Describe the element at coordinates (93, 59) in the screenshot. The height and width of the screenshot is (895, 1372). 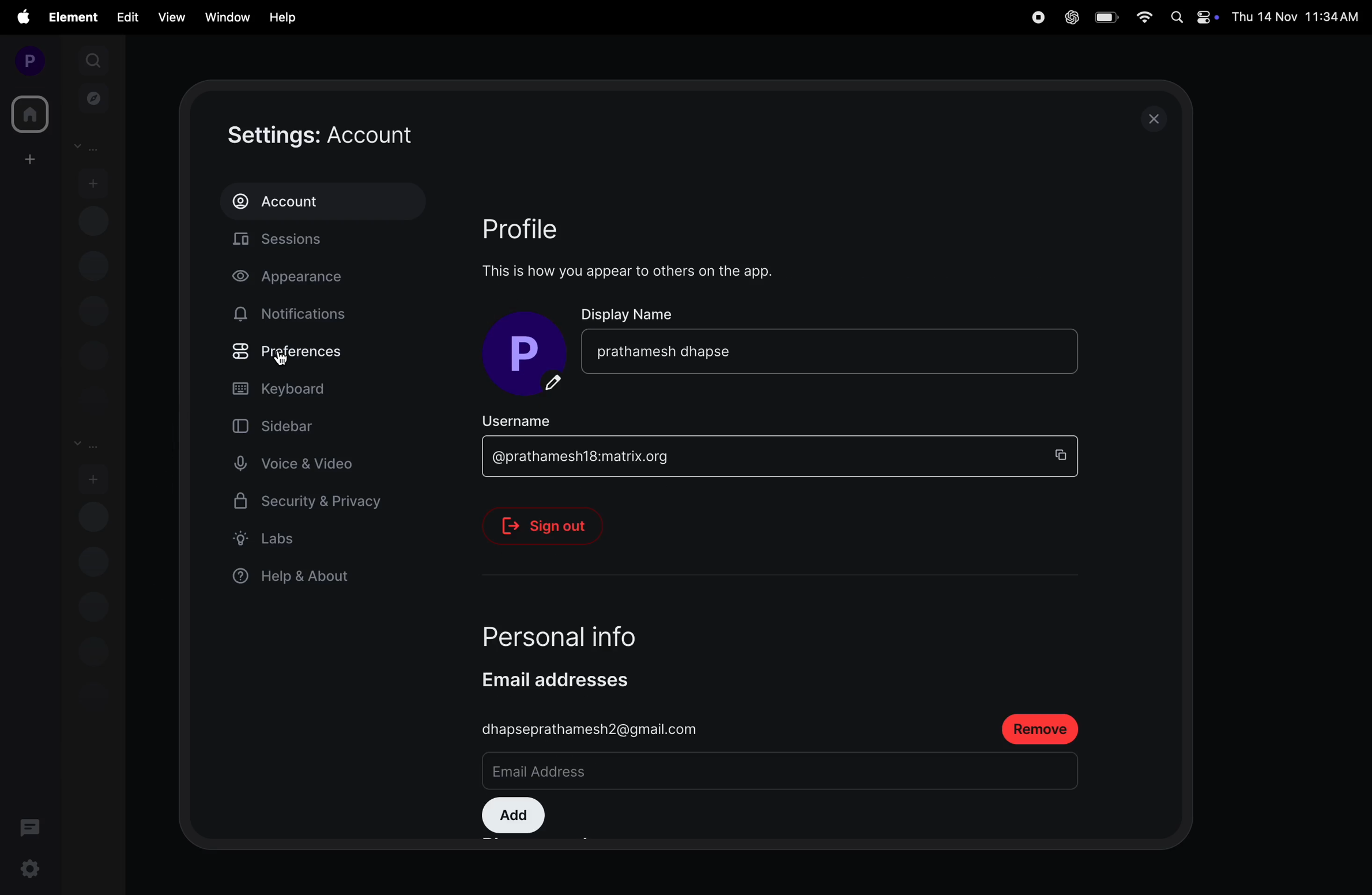
I see `search` at that location.